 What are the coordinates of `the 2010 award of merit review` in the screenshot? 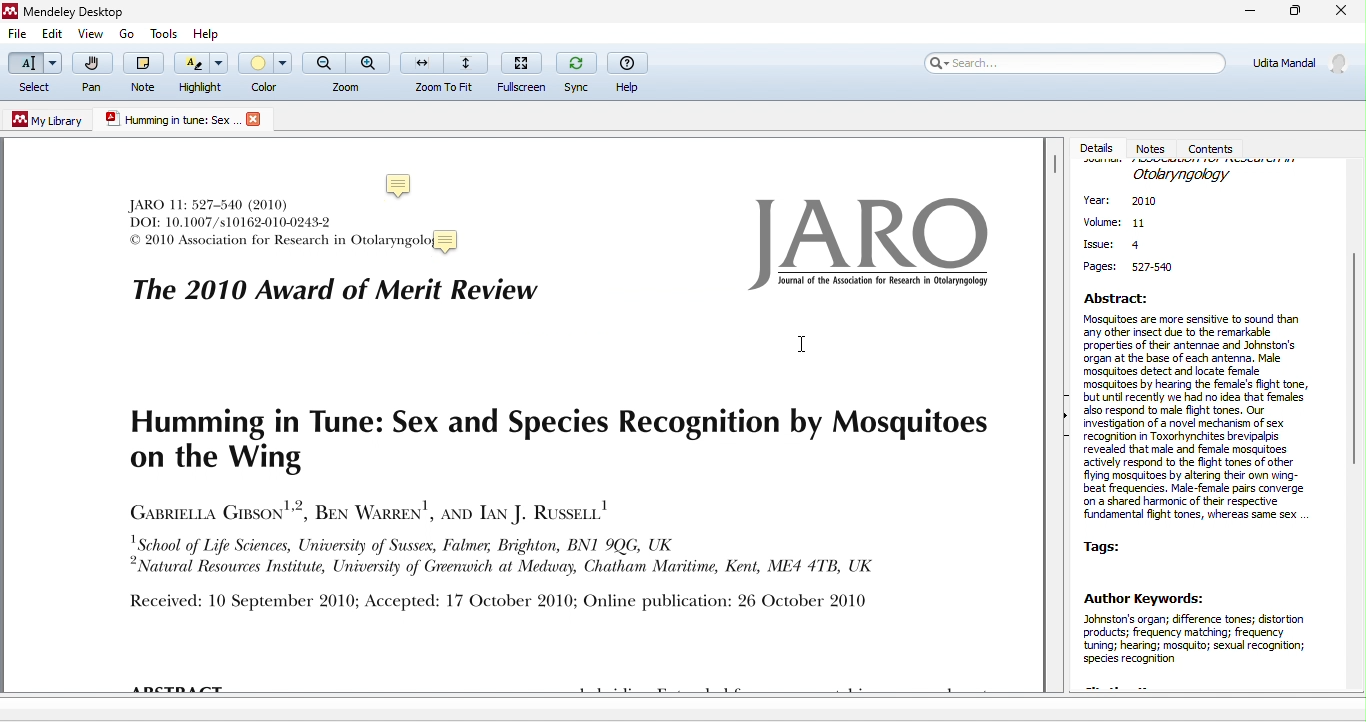 It's located at (332, 292).